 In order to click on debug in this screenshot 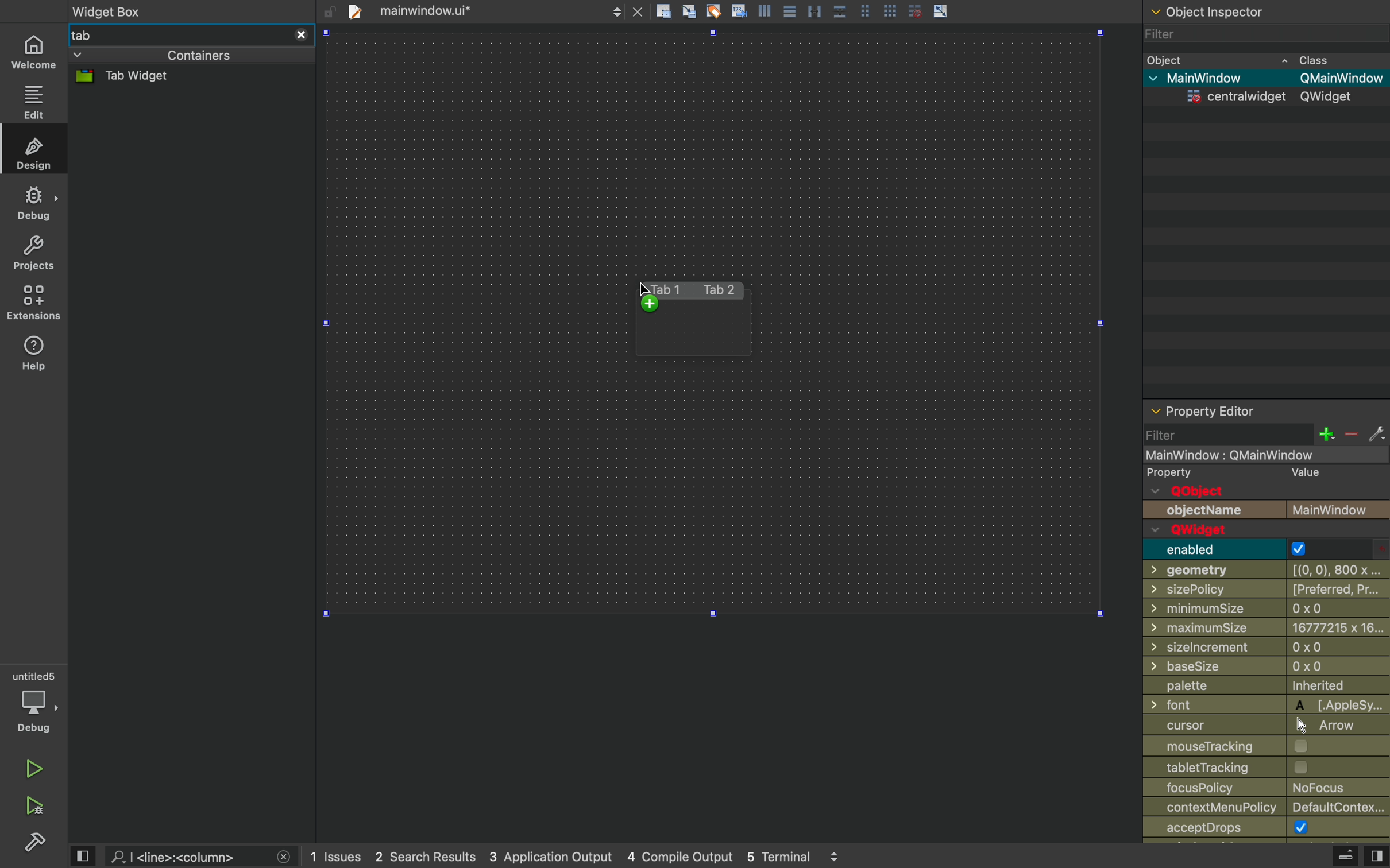, I will do `click(37, 702)`.